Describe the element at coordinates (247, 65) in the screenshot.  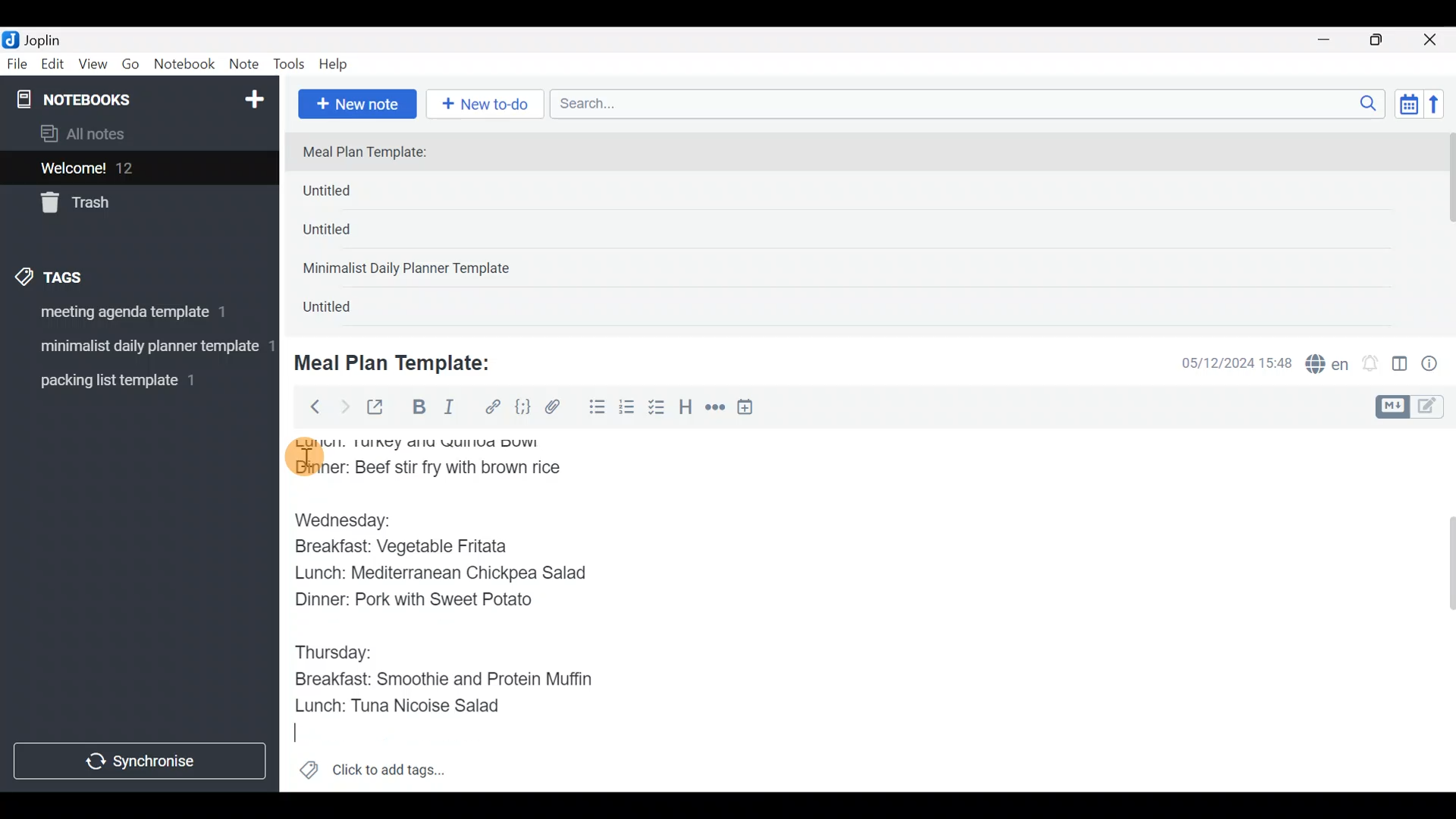
I see `Note` at that location.